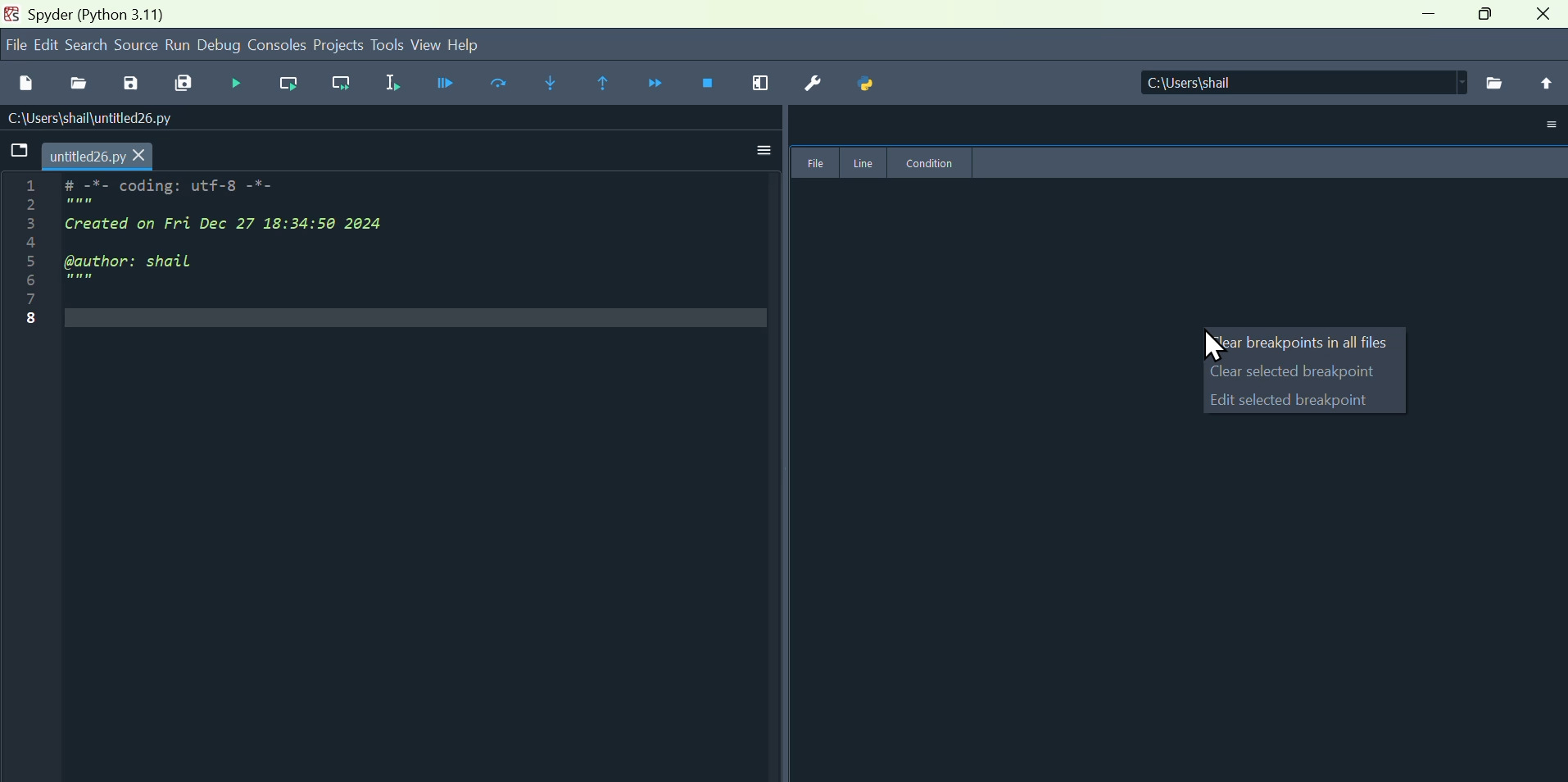  What do you see at coordinates (48, 48) in the screenshot?
I see `Edit` at bounding box center [48, 48].